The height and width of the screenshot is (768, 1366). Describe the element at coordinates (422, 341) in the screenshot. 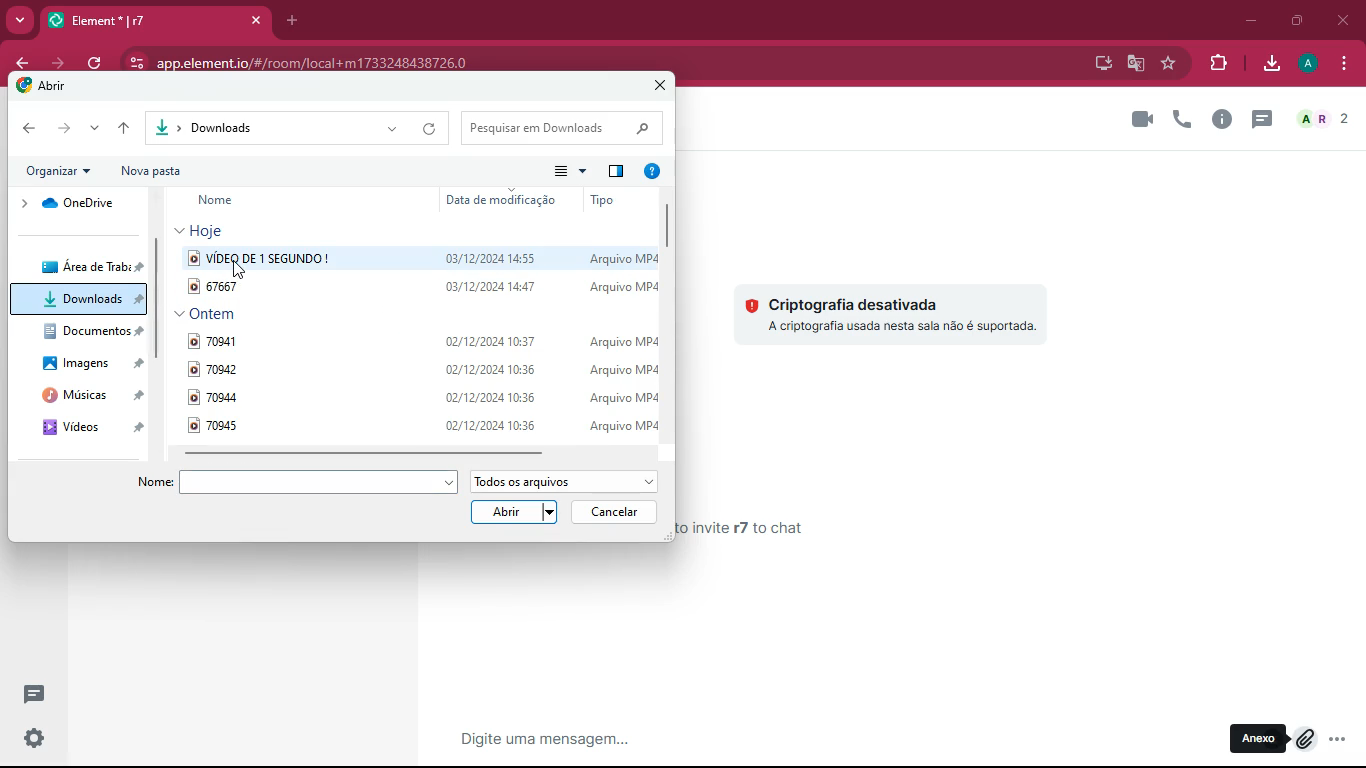

I see `70941 02/12/2024 10:37 arquivo mp4` at that location.